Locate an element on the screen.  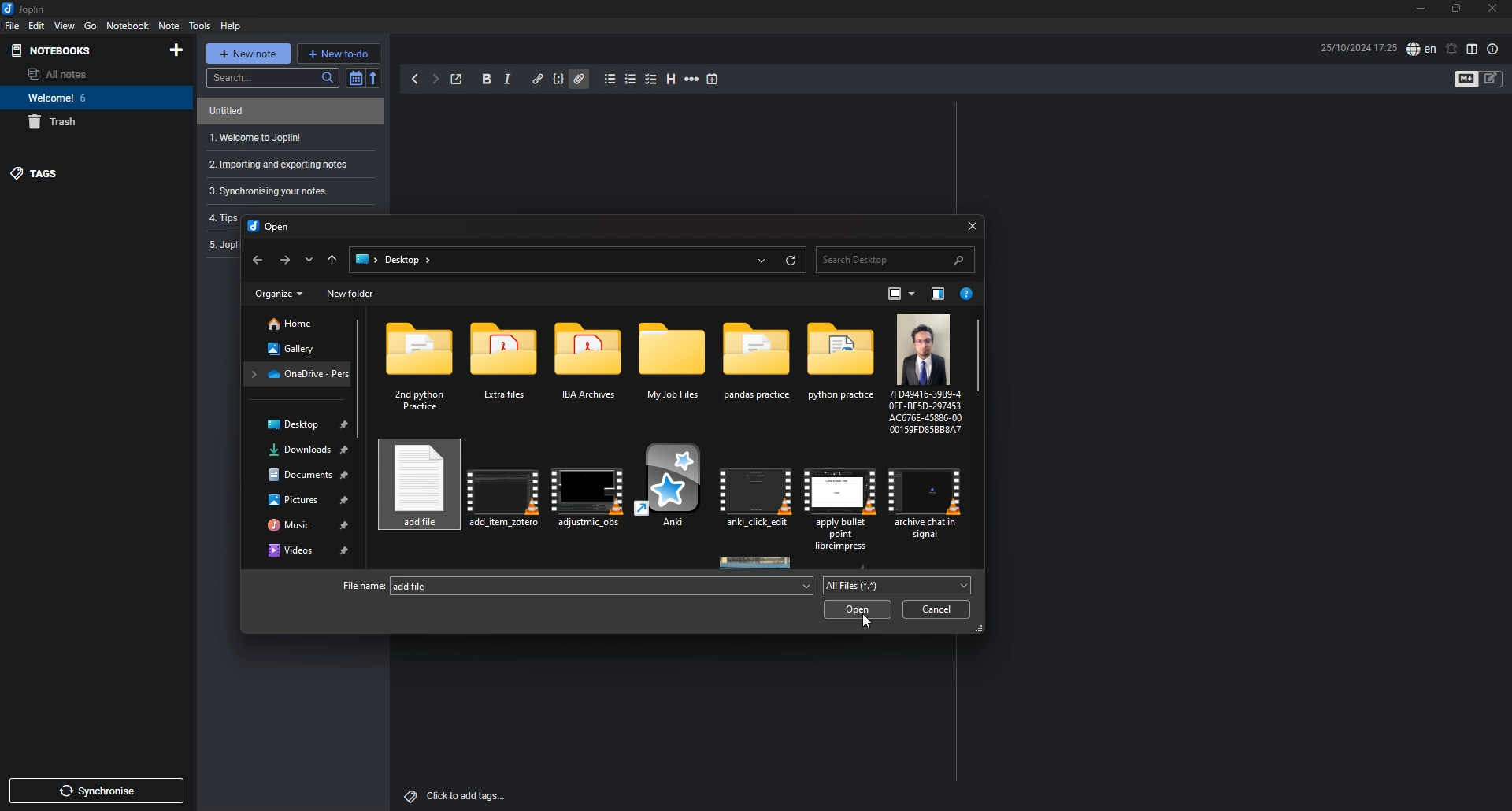
new folder is located at coordinates (351, 294).